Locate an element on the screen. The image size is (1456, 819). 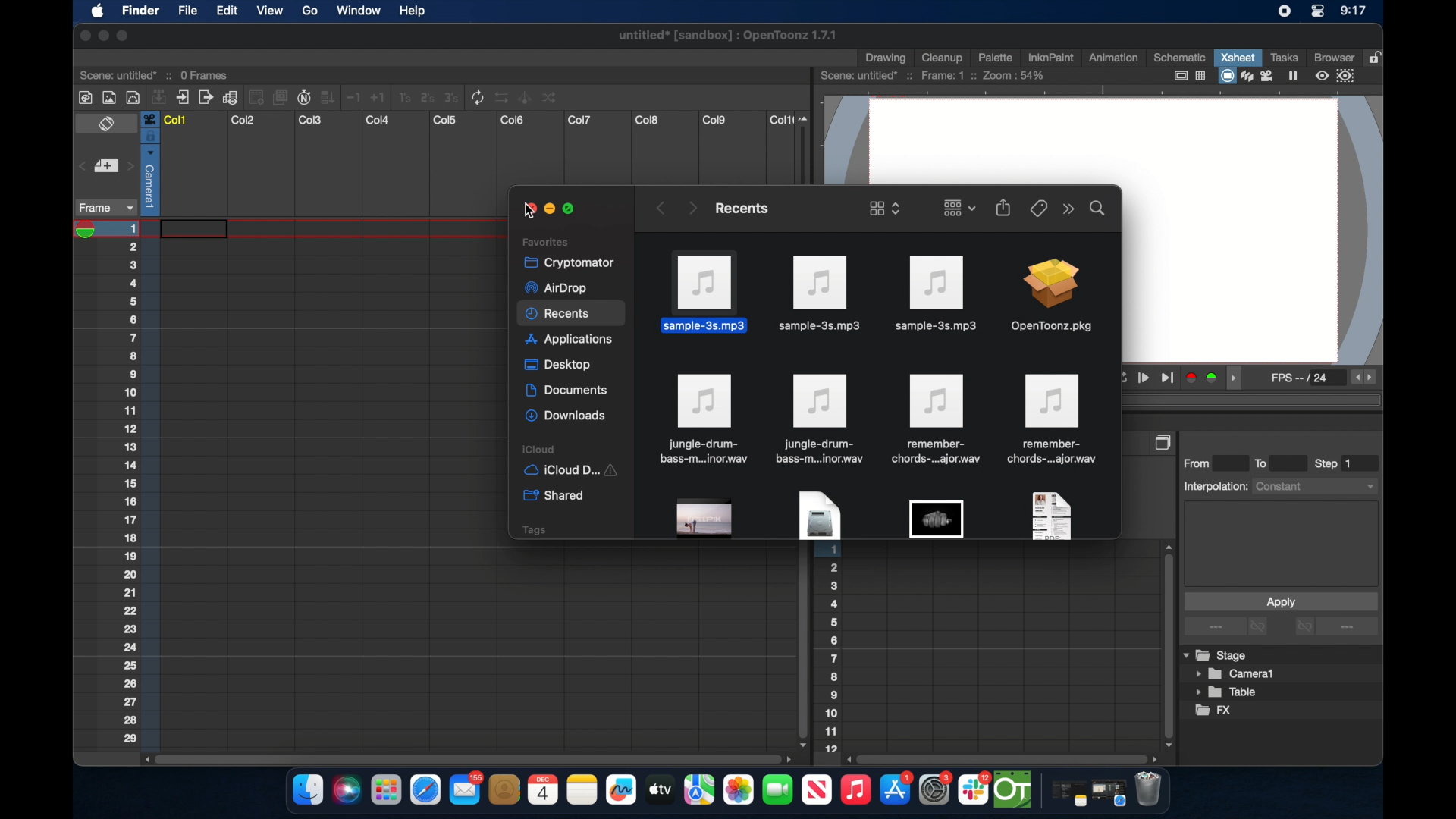
airdrop is located at coordinates (555, 288).